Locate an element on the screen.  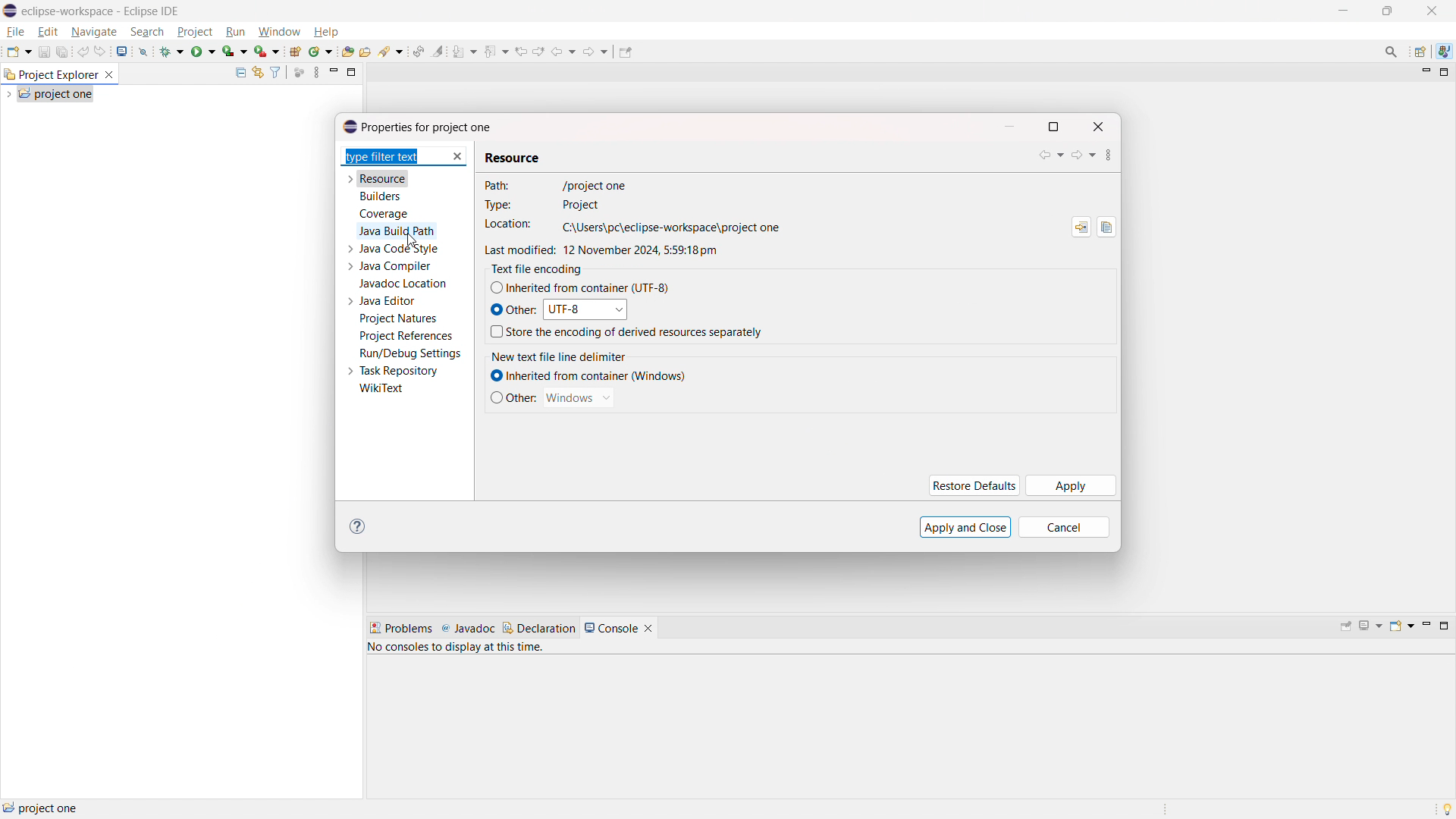
run is located at coordinates (236, 32).